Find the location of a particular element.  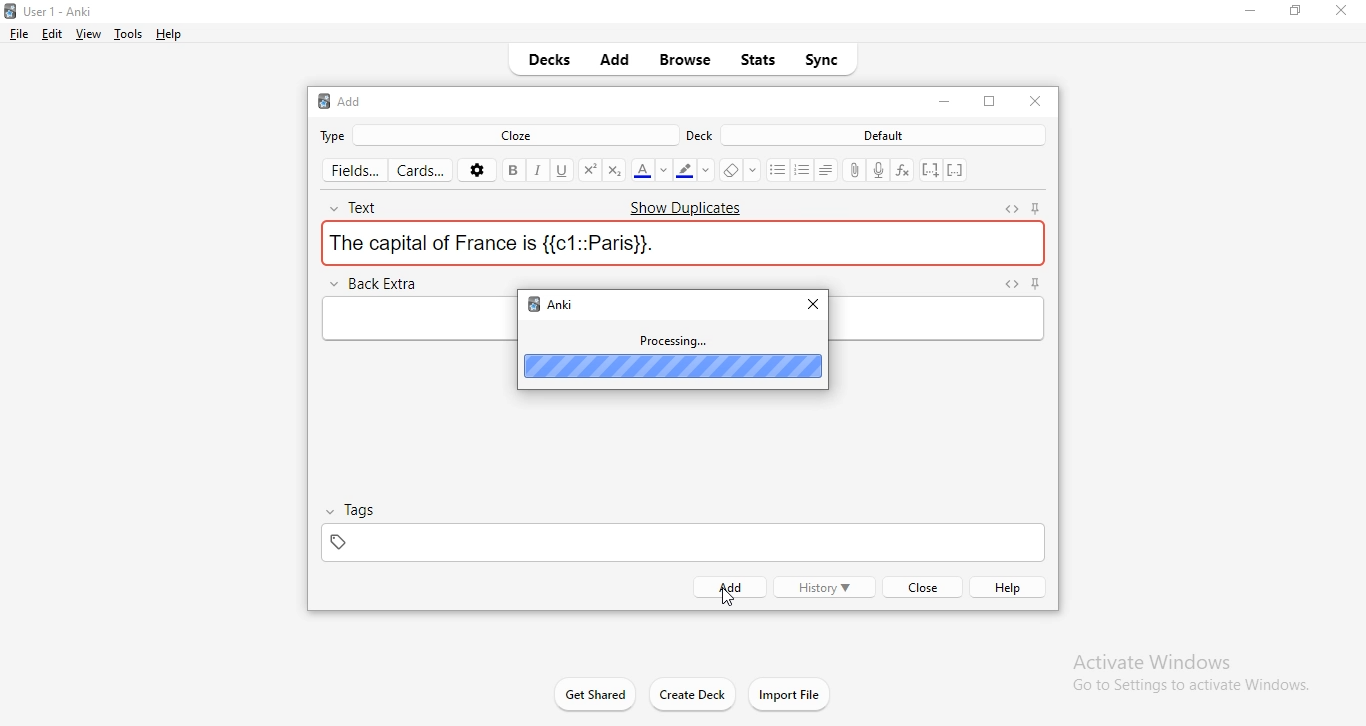

pin is located at coordinates (1041, 207).